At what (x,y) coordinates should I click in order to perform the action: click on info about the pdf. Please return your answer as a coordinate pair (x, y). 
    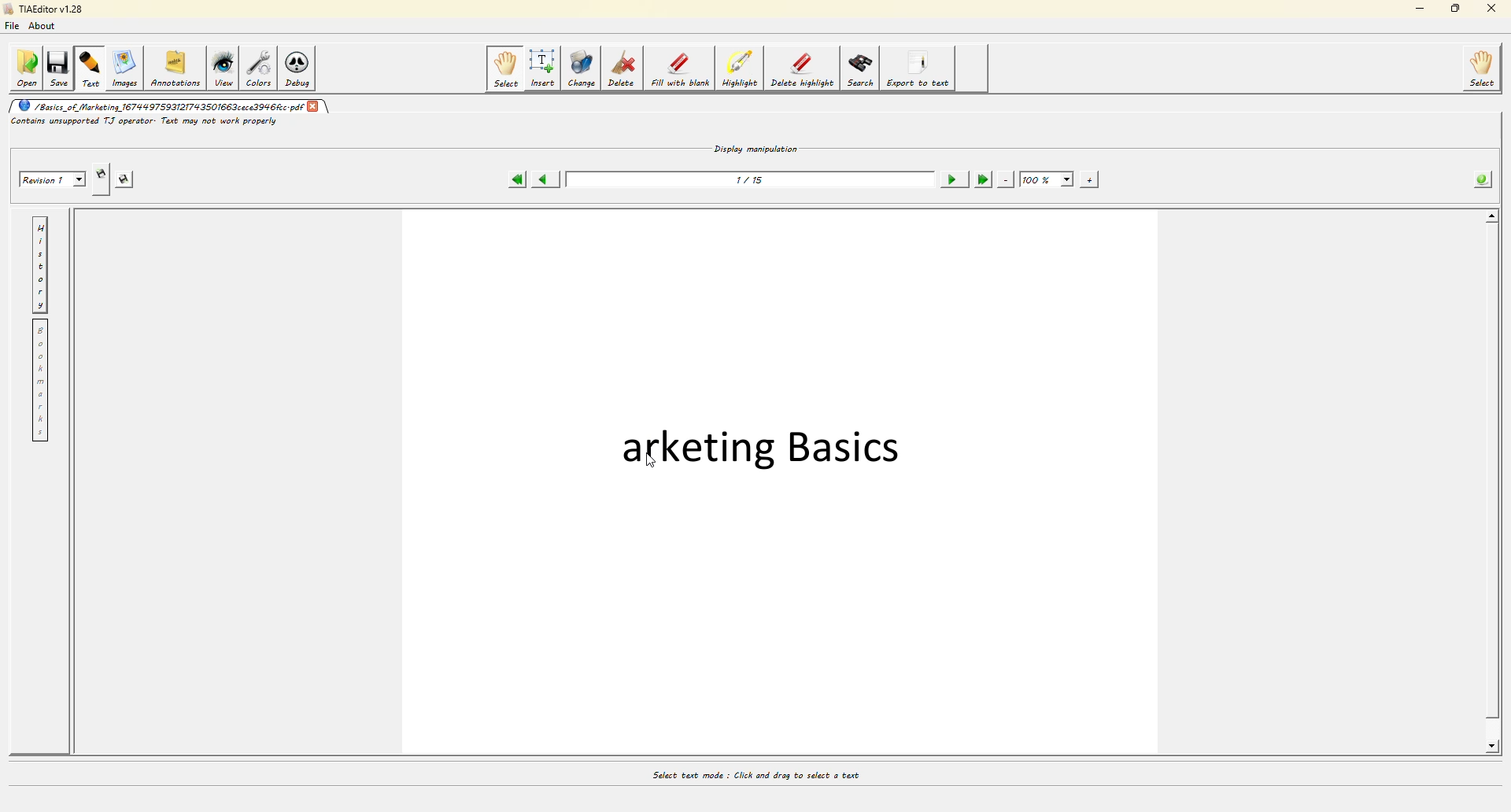
    Looking at the image, I should click on (1484, 176).